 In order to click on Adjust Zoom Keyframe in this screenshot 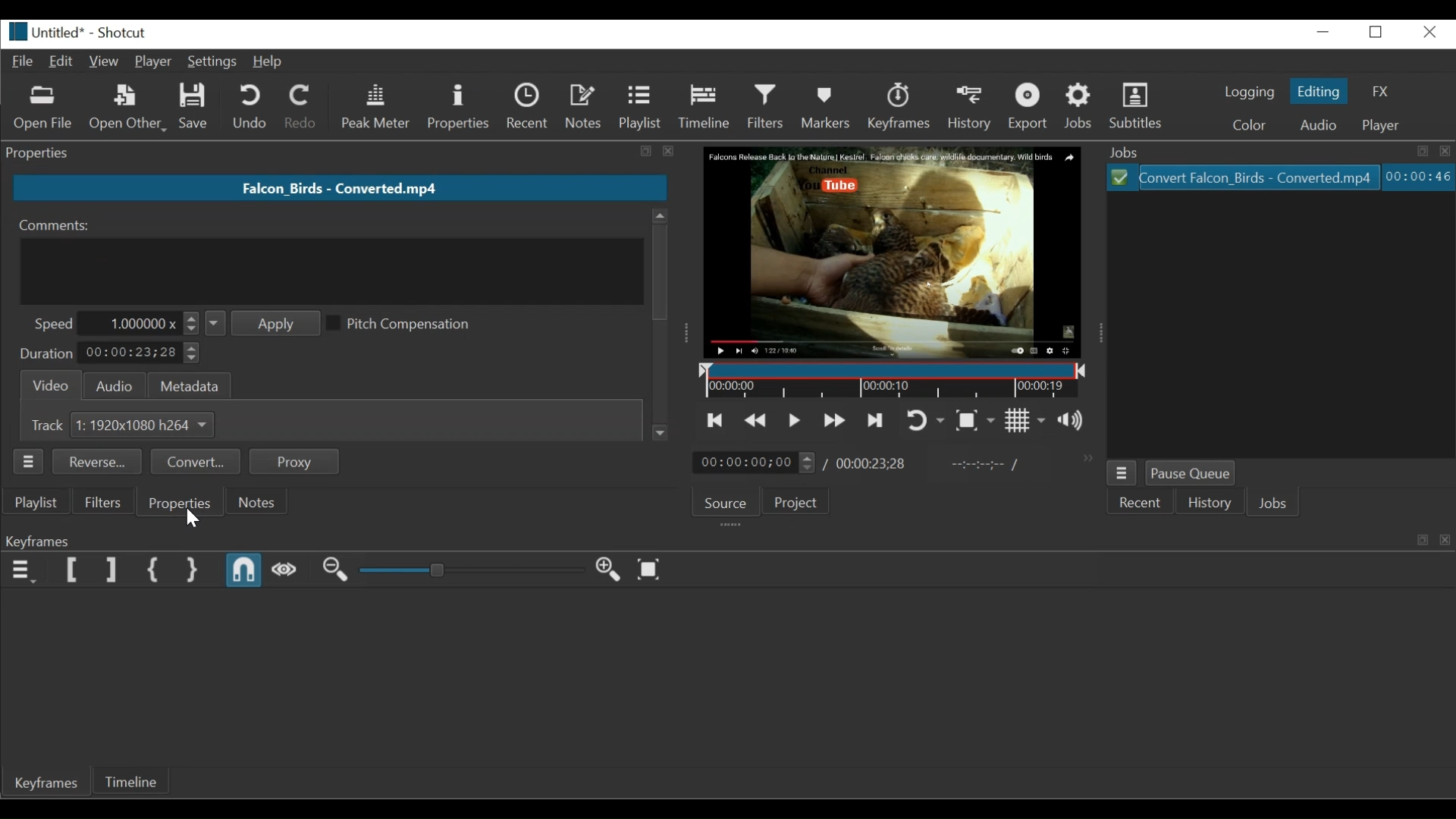, I will do `click(471, 570)`.